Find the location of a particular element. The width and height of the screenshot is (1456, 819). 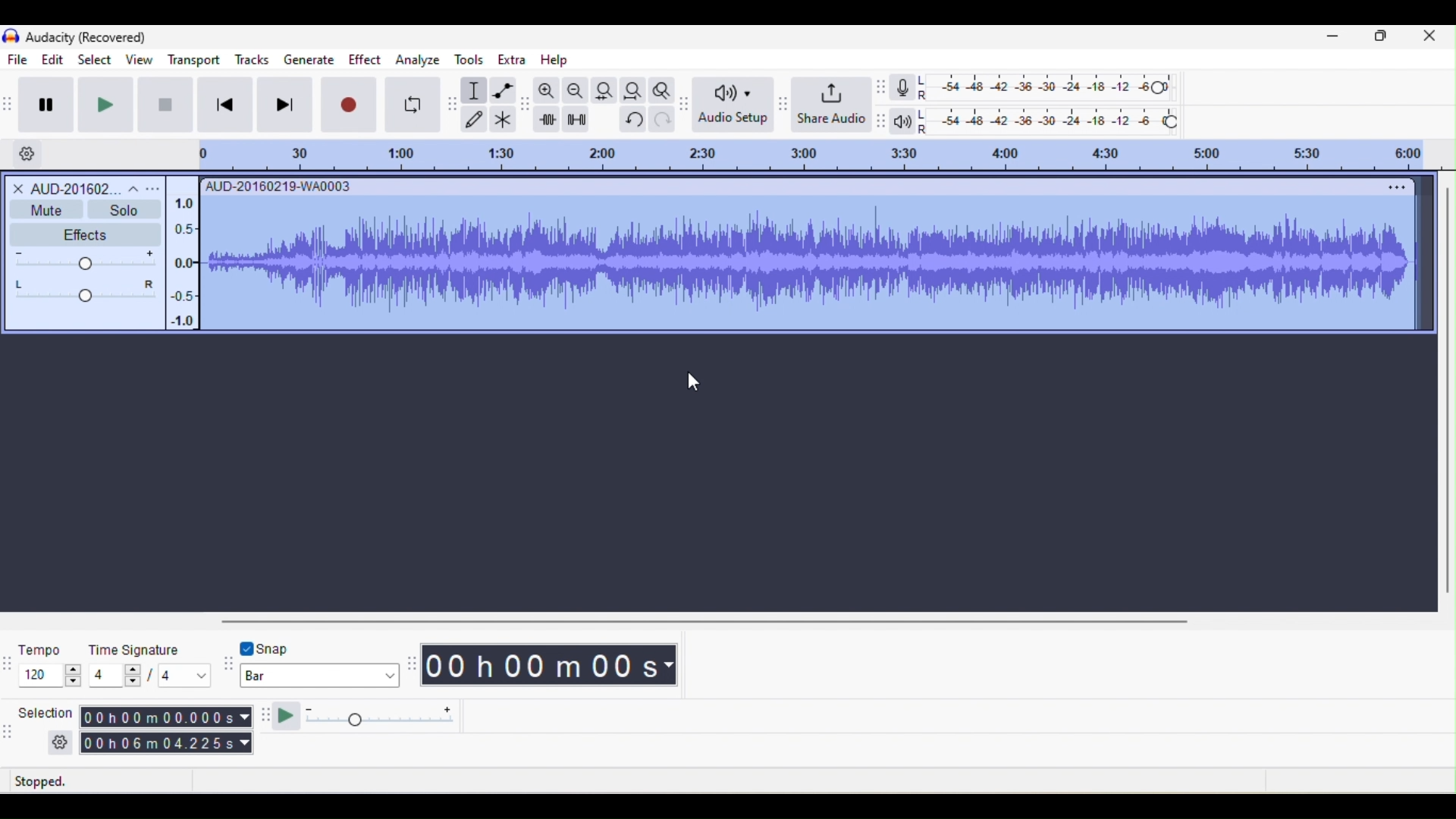

Minimize/Maximize is located at coordinates (1382, 39).